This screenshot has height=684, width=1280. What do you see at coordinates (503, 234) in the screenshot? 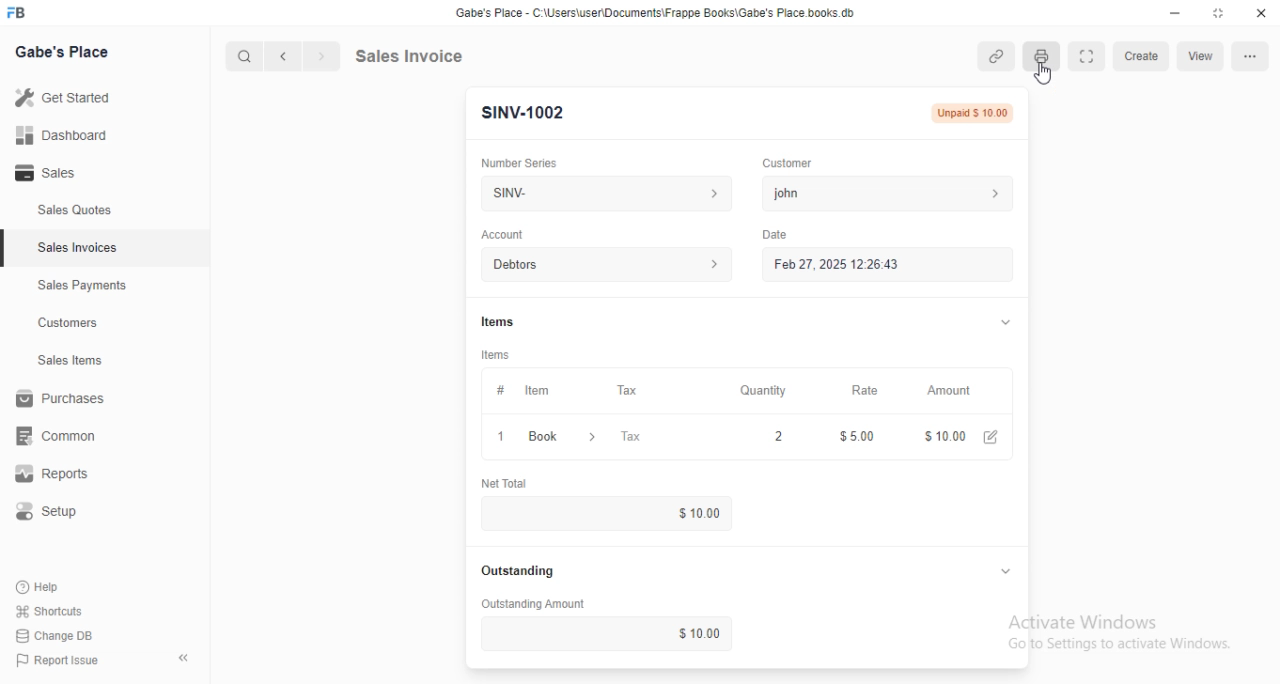
I see `account` at bounding box center [503, 234].